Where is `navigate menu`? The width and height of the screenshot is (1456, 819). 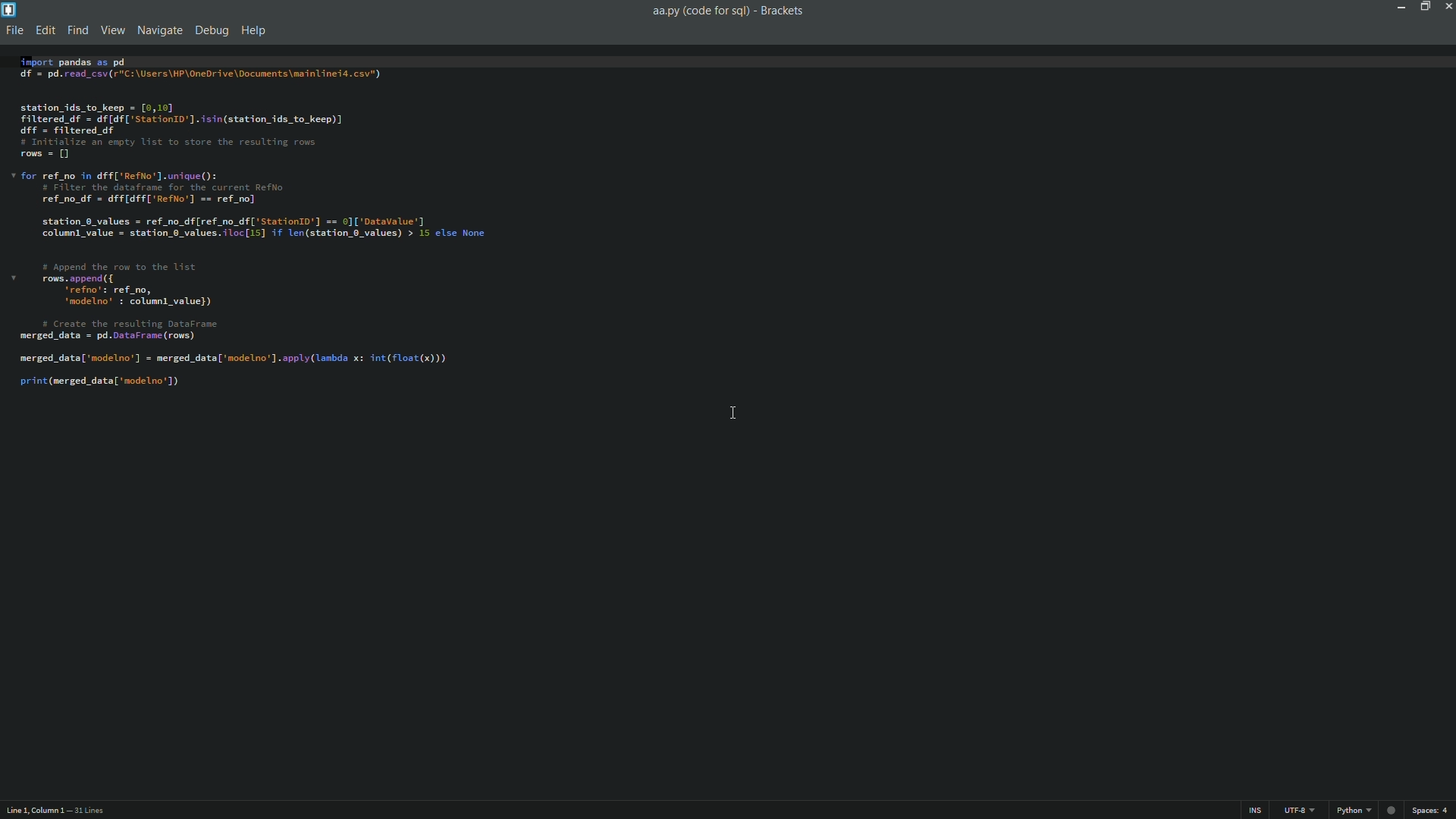 navigate menu is located at coordinates (157, 30).